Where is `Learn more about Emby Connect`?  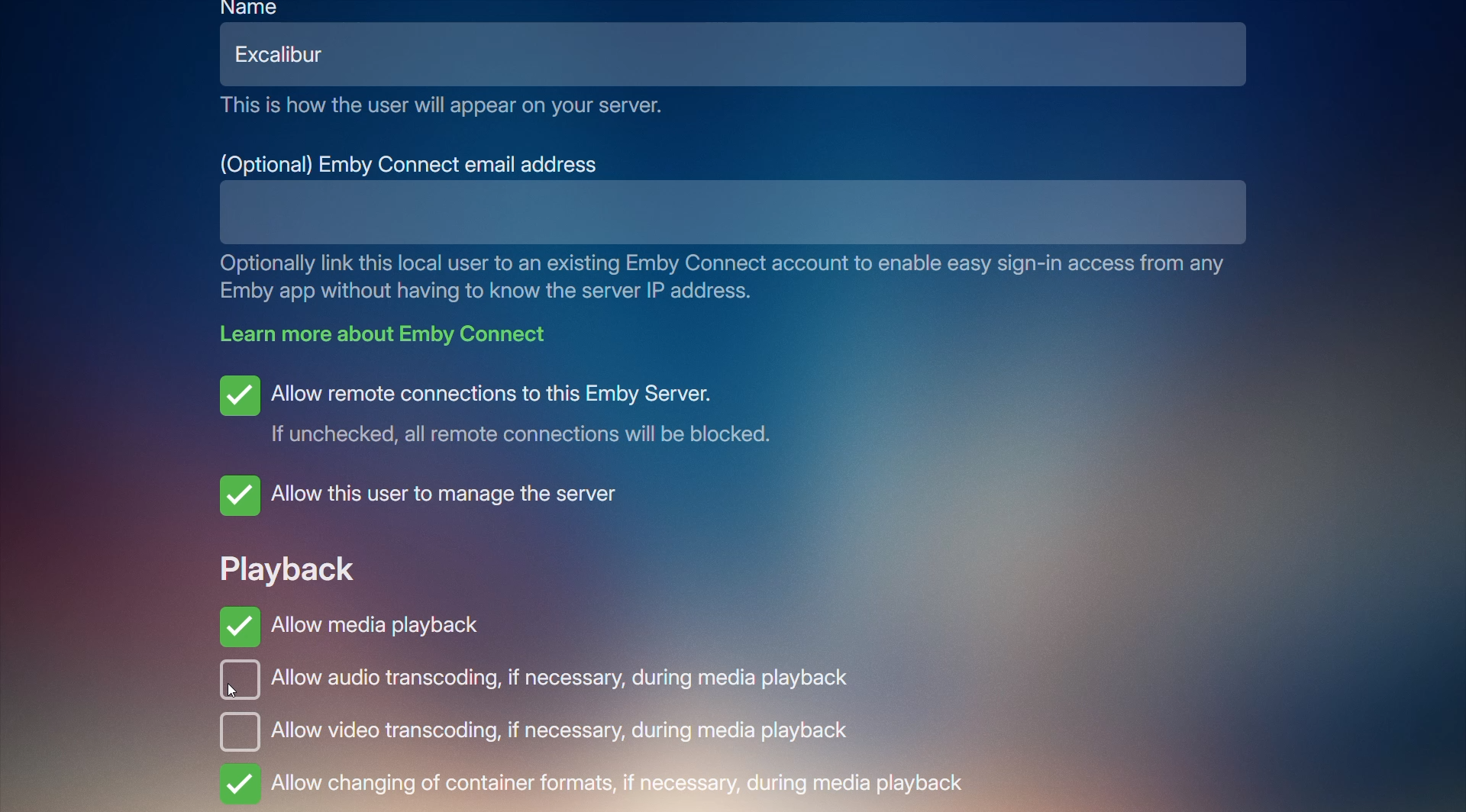
Learn more about Emby Connect is located at coordinates (392, 333).